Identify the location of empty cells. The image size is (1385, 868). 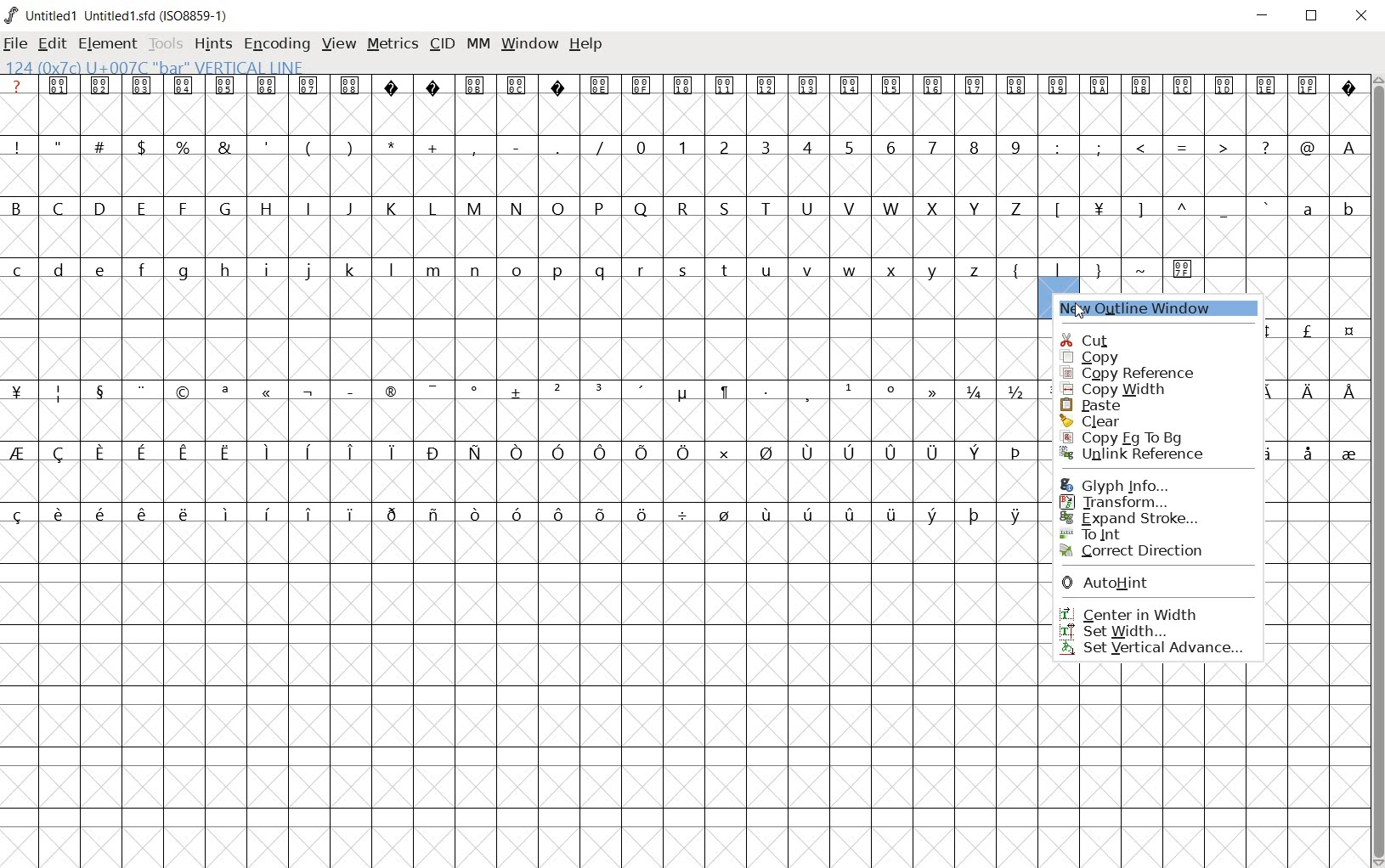
(683, 114).